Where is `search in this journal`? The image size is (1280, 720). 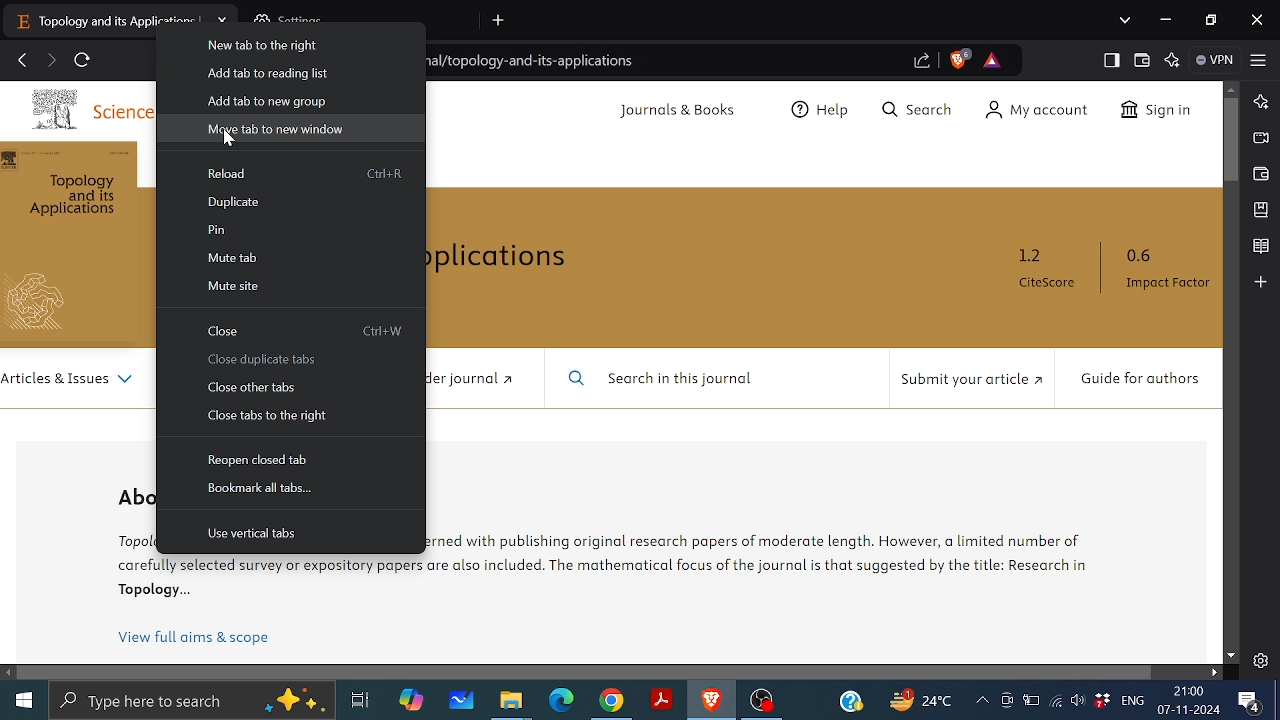
search in this journal is located at coordinates (665, 379).